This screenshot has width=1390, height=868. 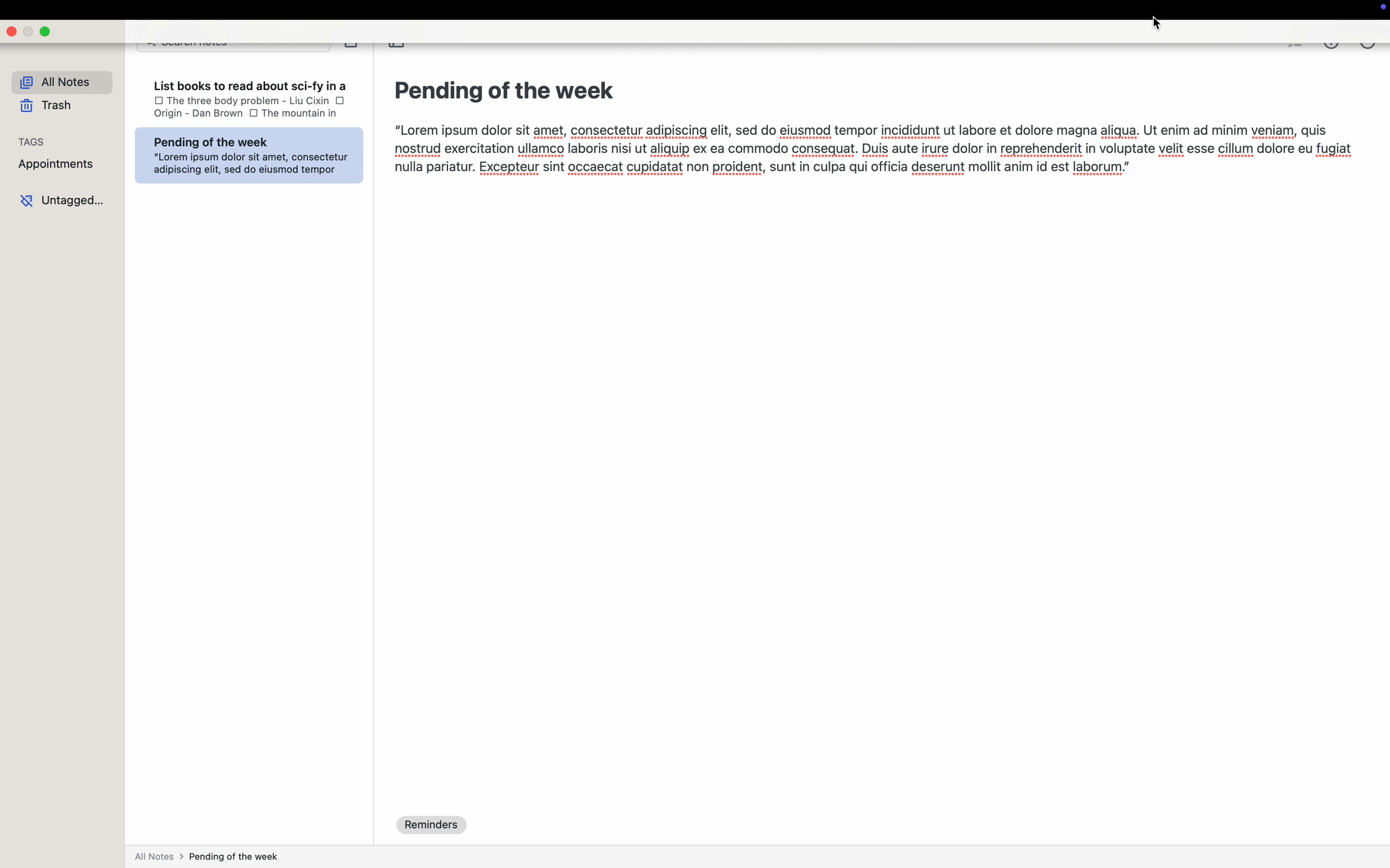 I want to click on trash, so click(x=46, y=109).